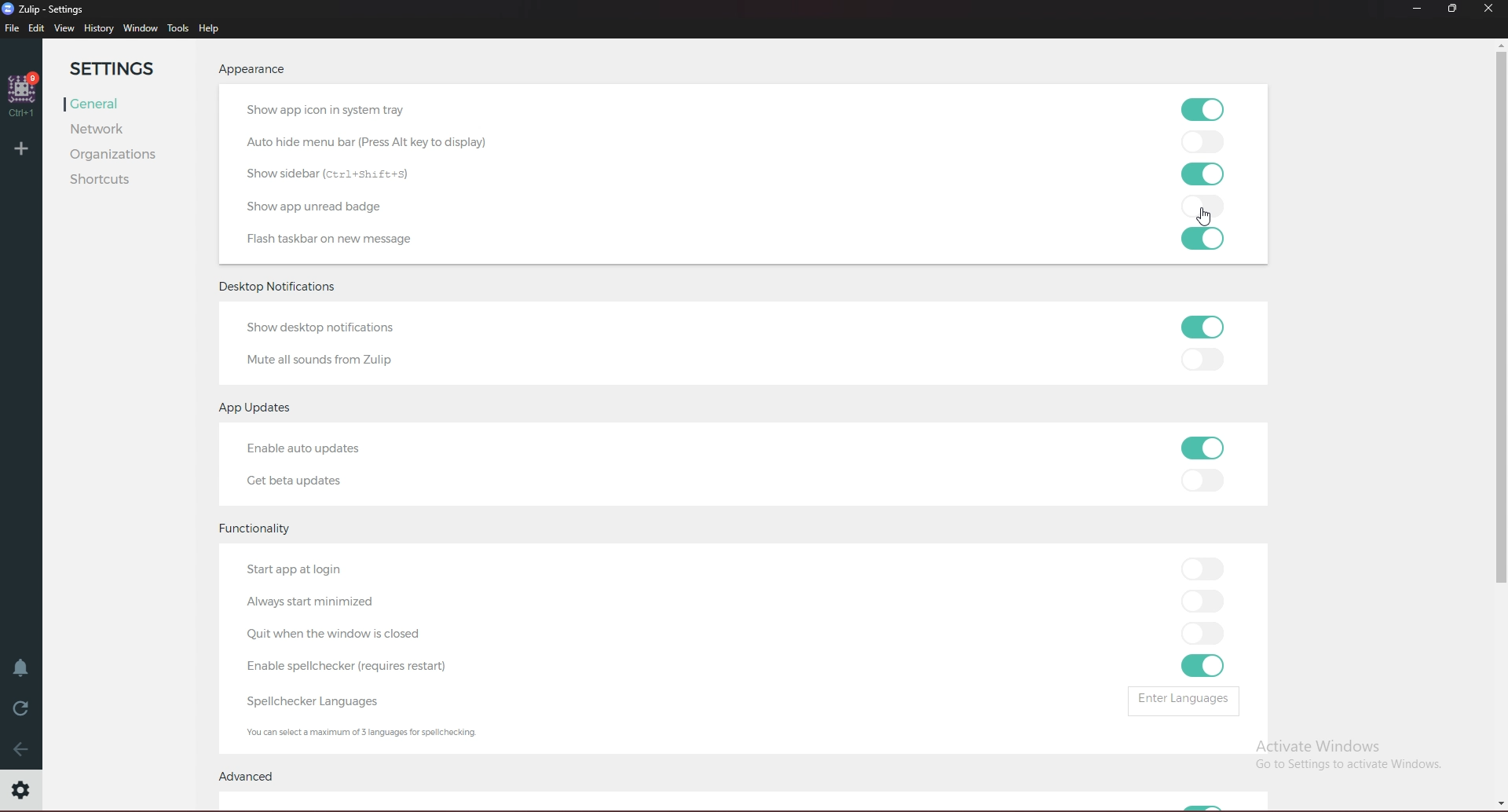  What do you see at coordinates (1203, 569) in the screenshot?
I see `toggle` at bounding box center [1203, 569].